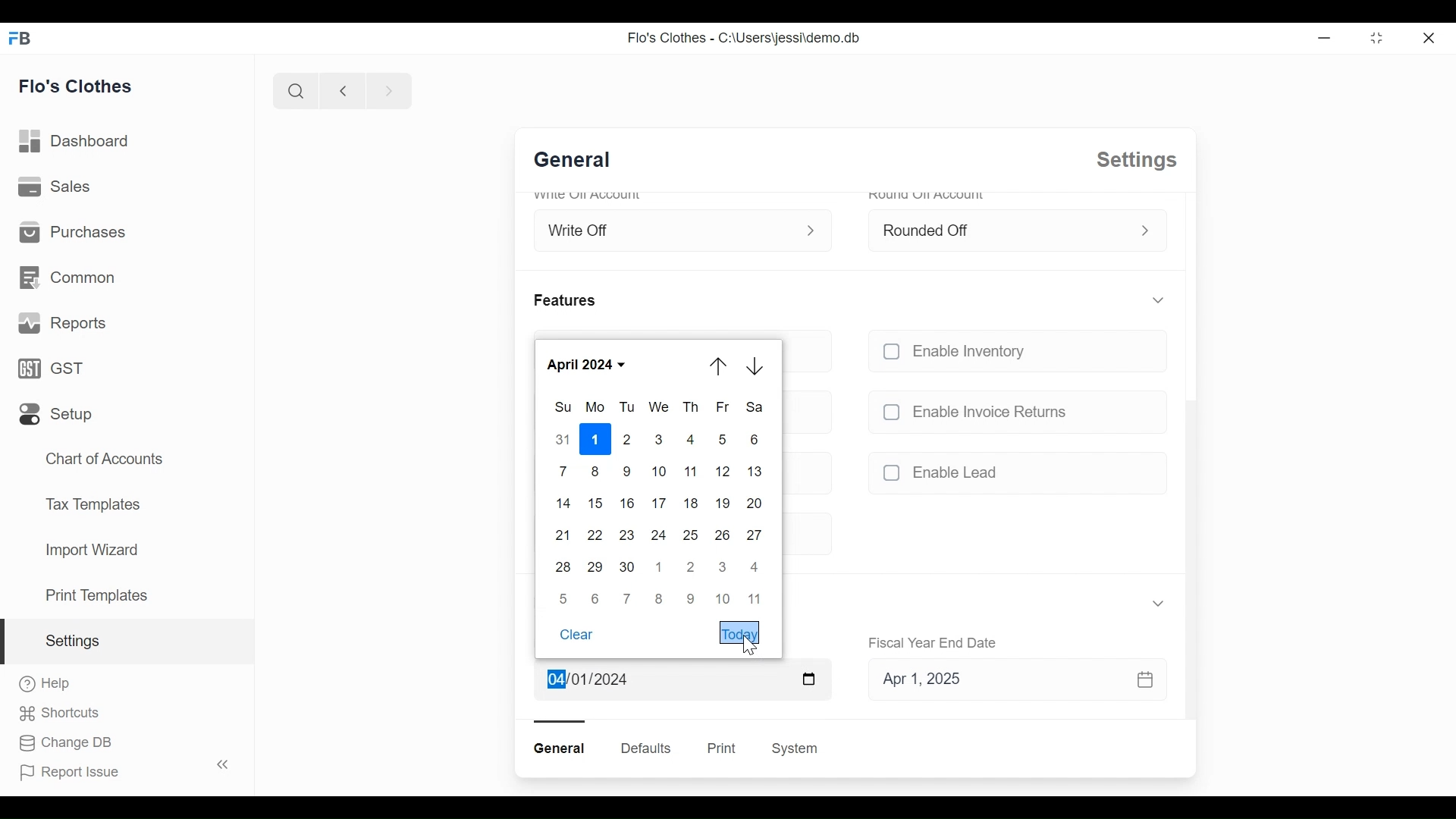 Image resolution: width=1456 pixels, height=819 pixels. What do you see at coordinates (57, 369) in the screenshot?
I see `GST` at bounding box center [57, 369].